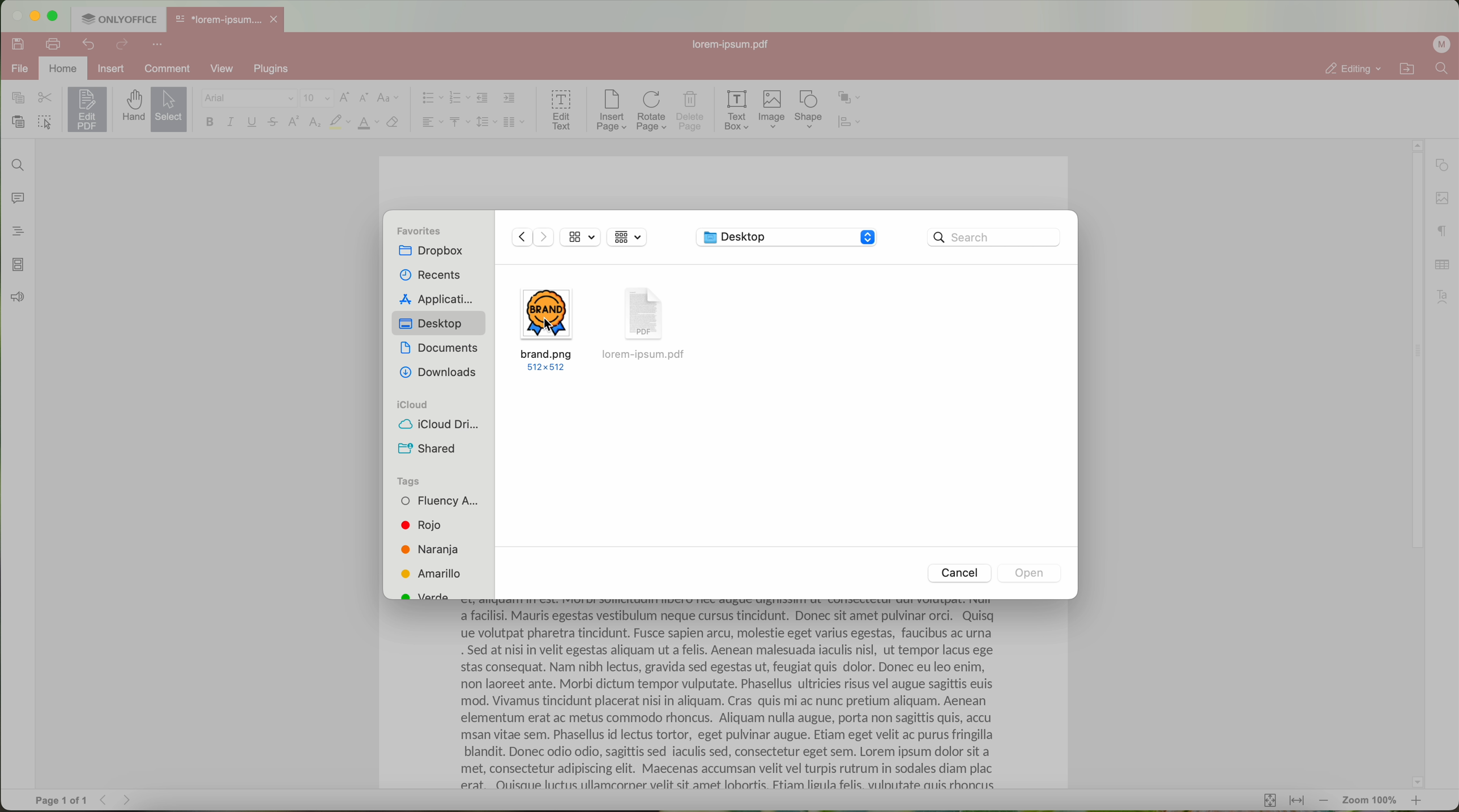 Image resolution: width=1459 pixels, height=812 pixels. I want to click on text box, so click(737, 110).